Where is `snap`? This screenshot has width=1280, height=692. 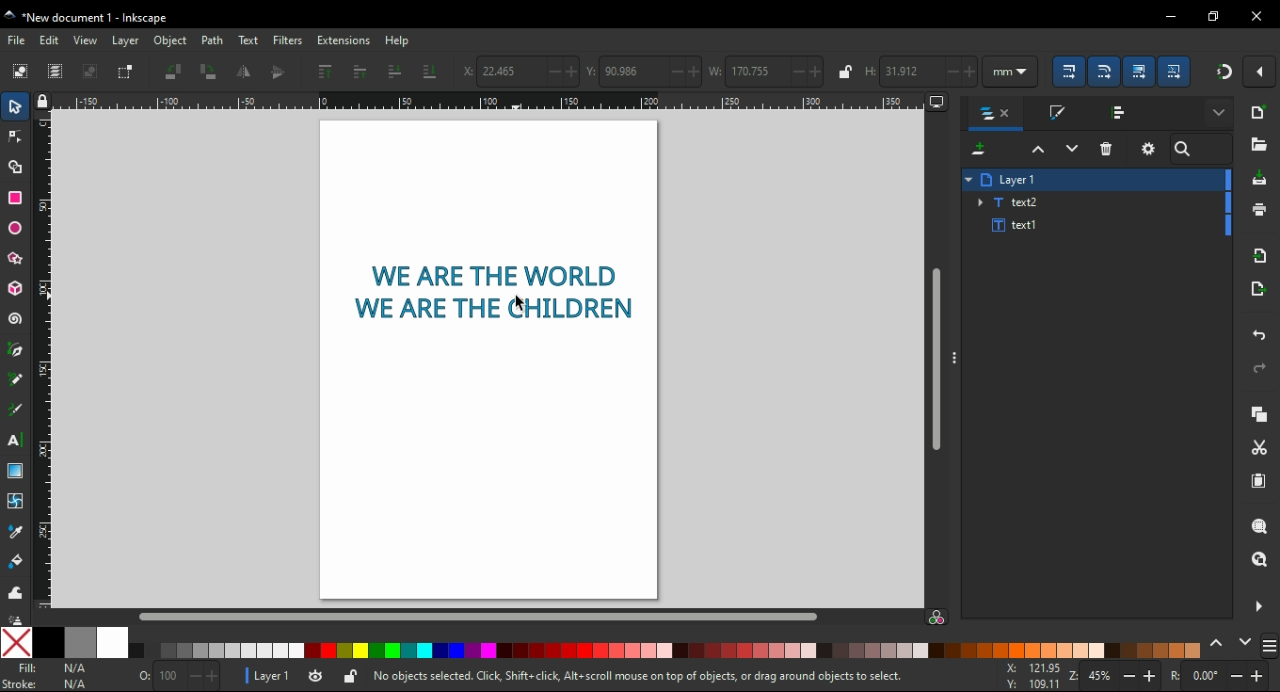 snap is located at coordinates (1221, 73).